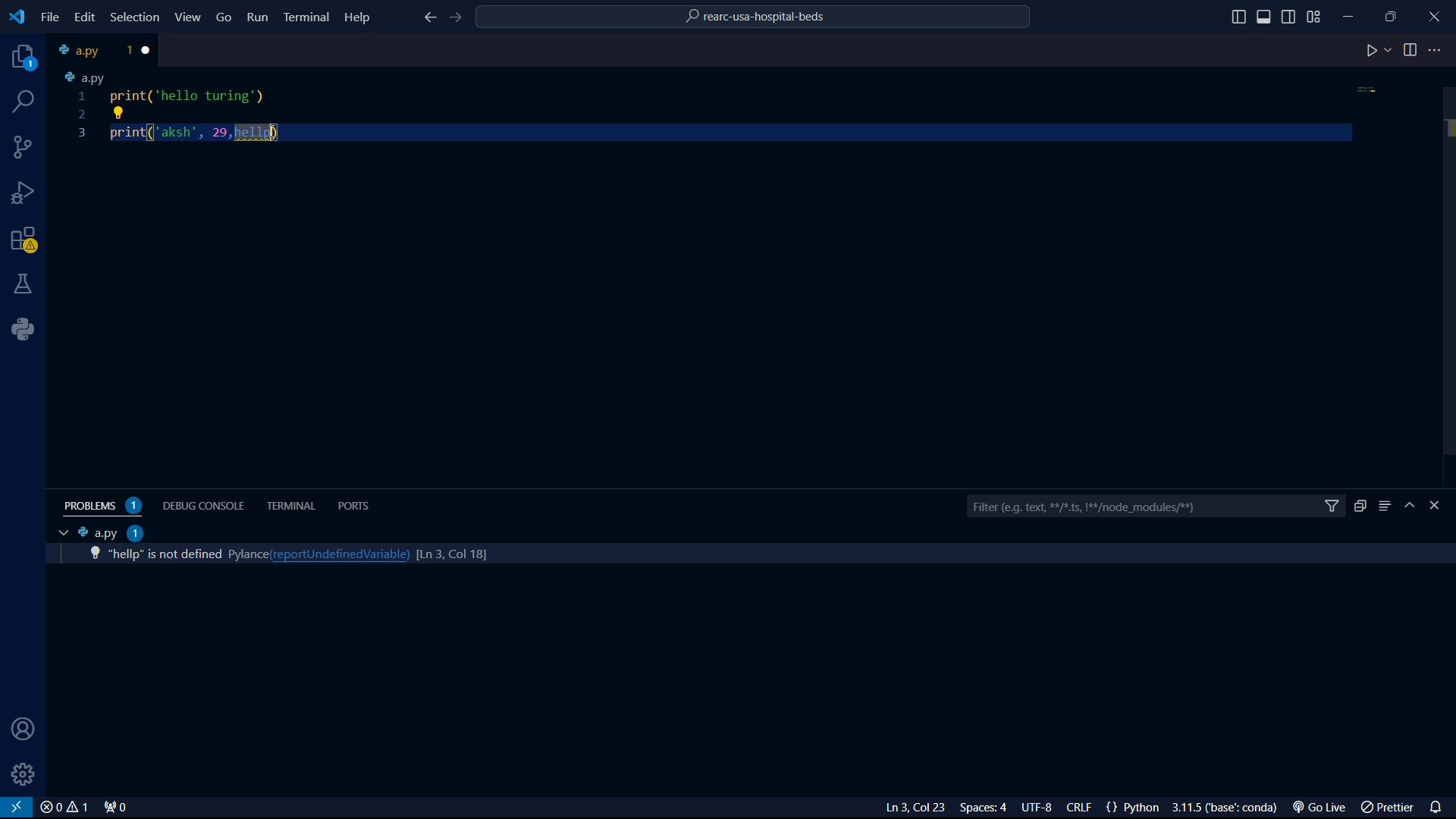 The width and height of the screenshot is (1456, 819). What do you see at coordinates (987, 808) in the screenshot?
I see `Spaces: 4` at bounding box center [987, 808].